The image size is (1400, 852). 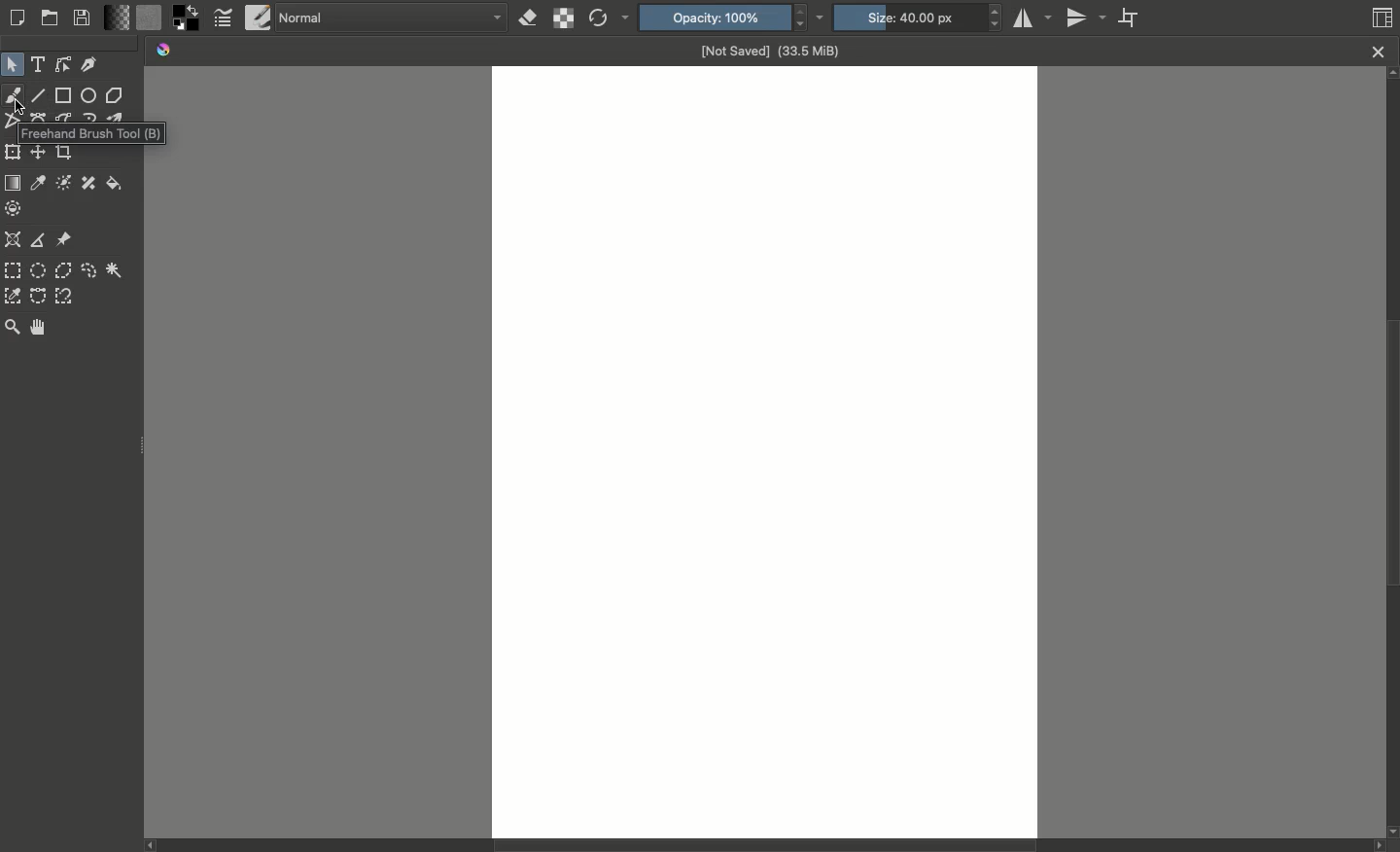 What do you see at coordinates (40, 96) in the screenshot?
I see `Line` at bounding box center [40, 96].